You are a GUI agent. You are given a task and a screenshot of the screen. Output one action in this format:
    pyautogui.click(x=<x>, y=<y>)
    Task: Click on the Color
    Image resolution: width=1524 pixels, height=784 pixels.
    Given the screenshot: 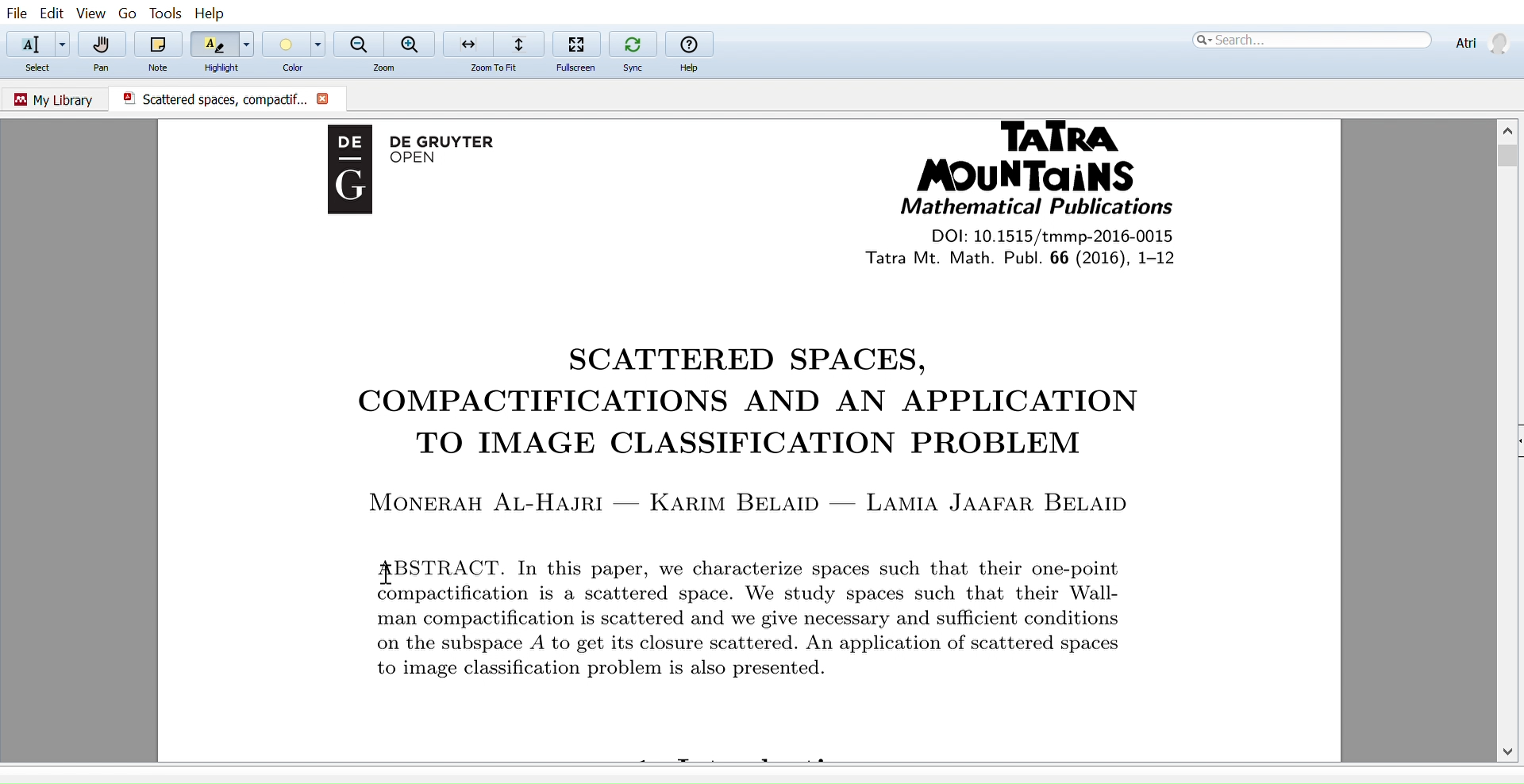 What is the action you would take?
    pyautogui.click(x=284, y=44)
    